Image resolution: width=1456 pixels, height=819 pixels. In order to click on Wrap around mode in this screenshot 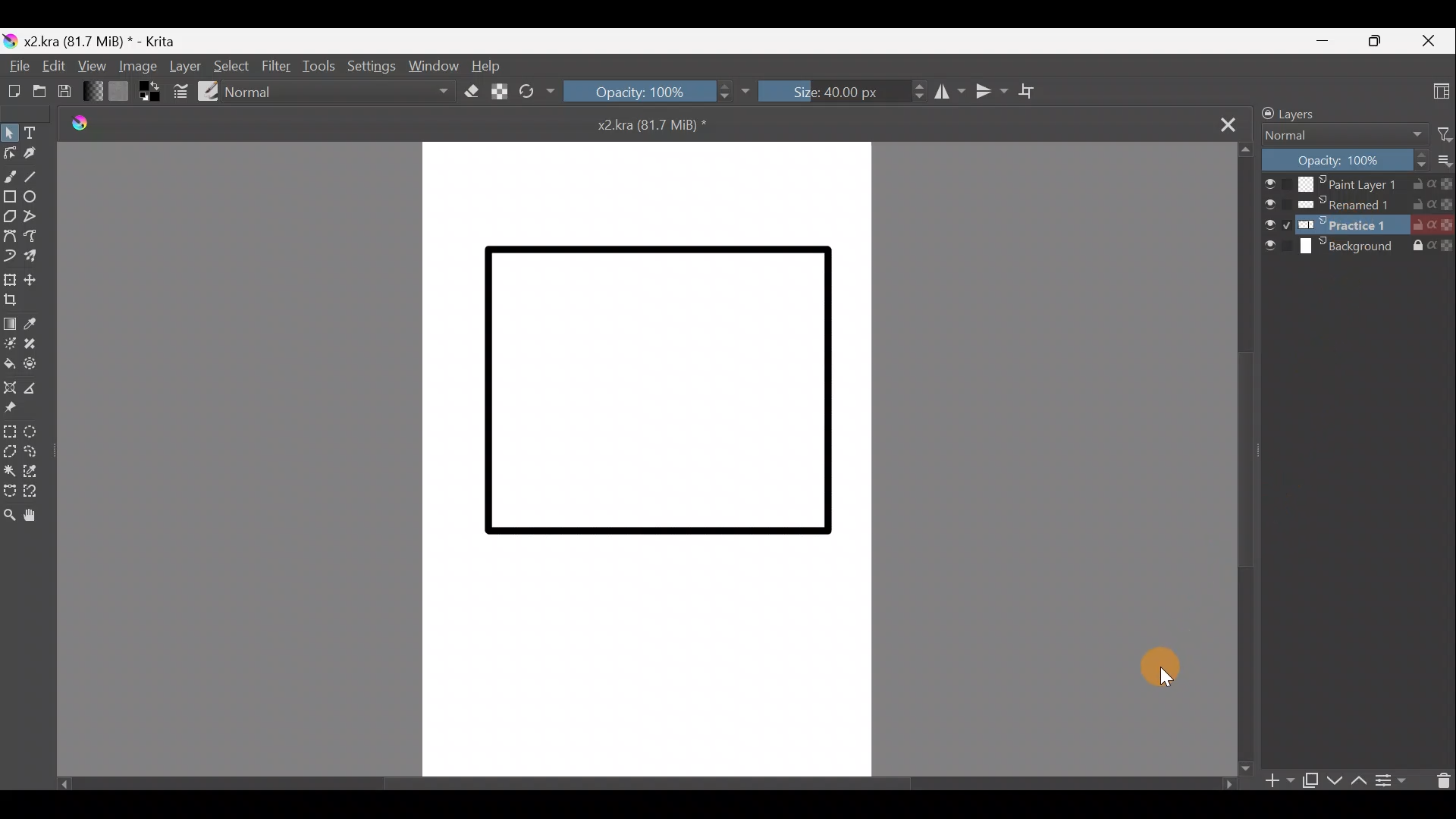, I will do `click(1032, 90)`.